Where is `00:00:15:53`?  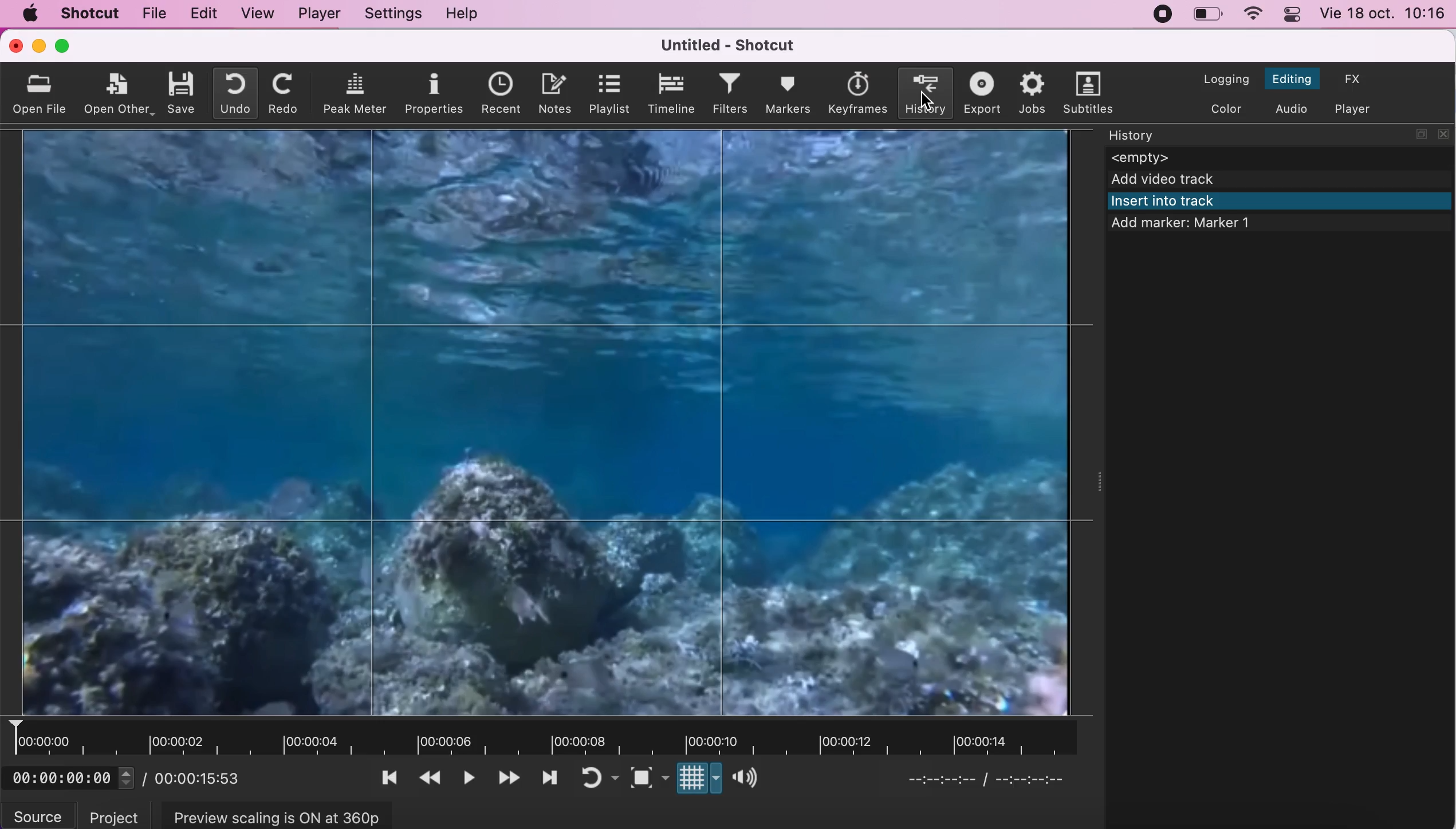
00:00:15:53 is located at coordinates (202, 779).